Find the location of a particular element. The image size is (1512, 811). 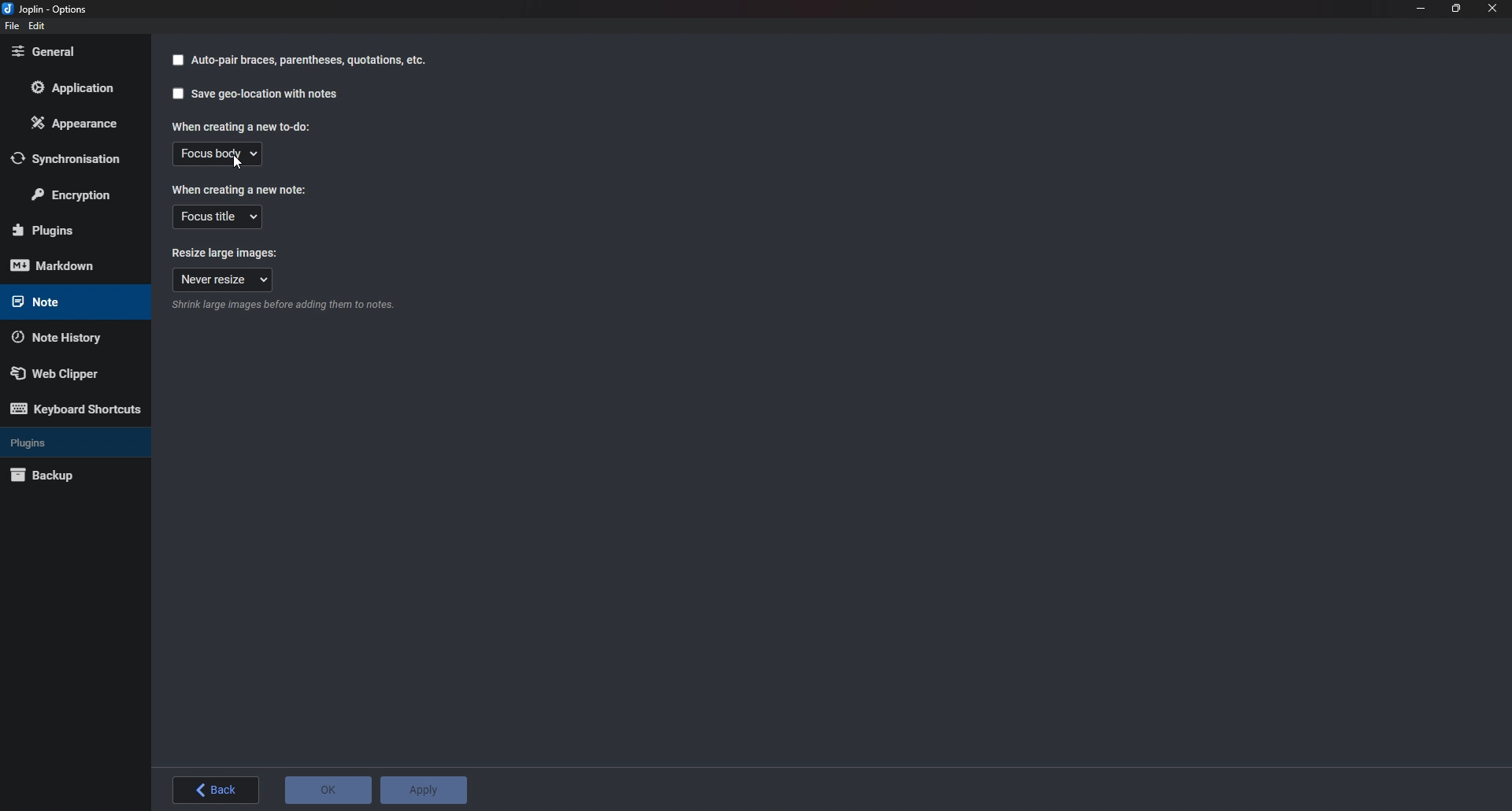

Info is located at coordinates (283, 307).